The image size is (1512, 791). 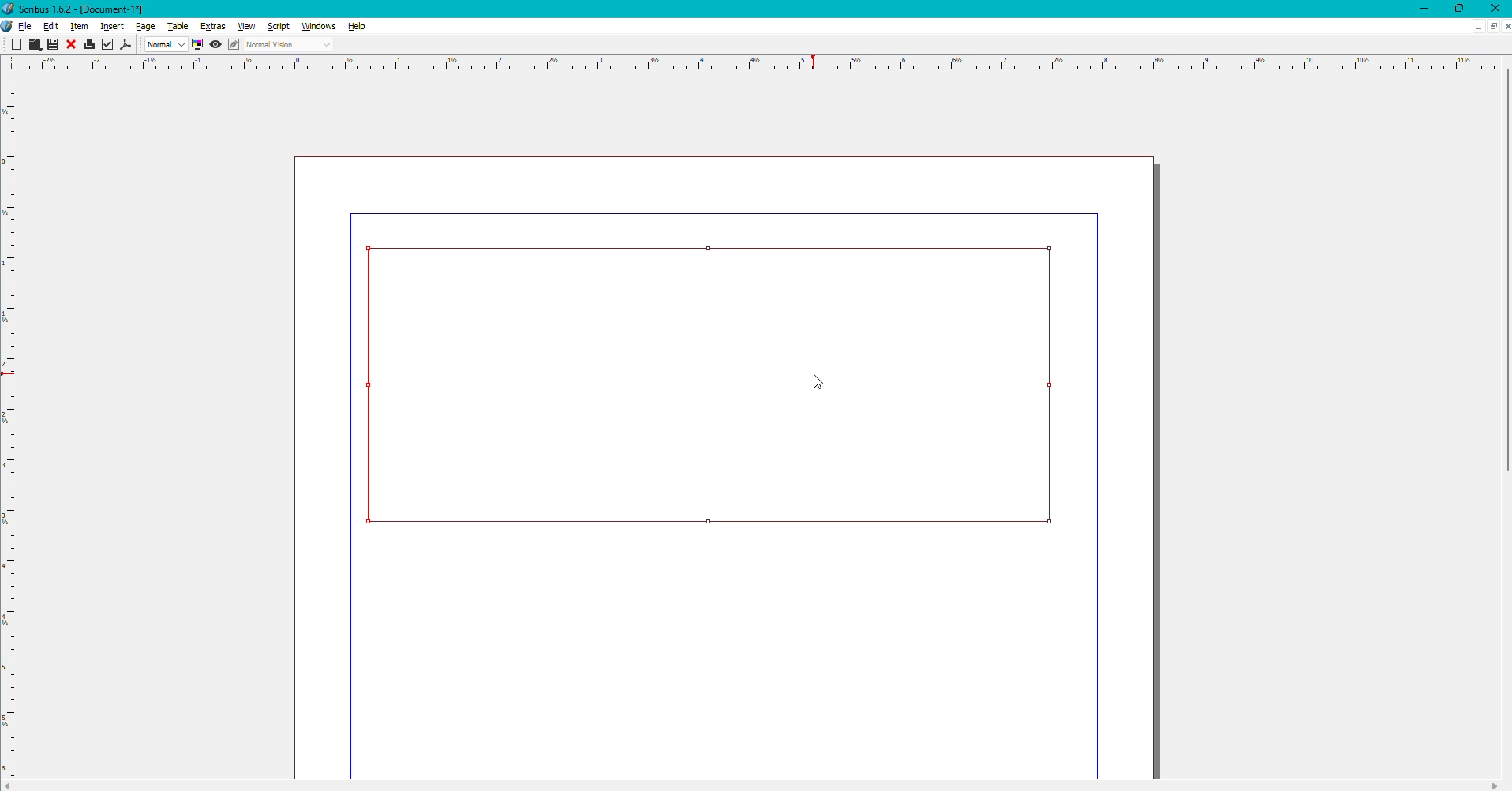 I want to click on Item, so click(x=80, y=27).